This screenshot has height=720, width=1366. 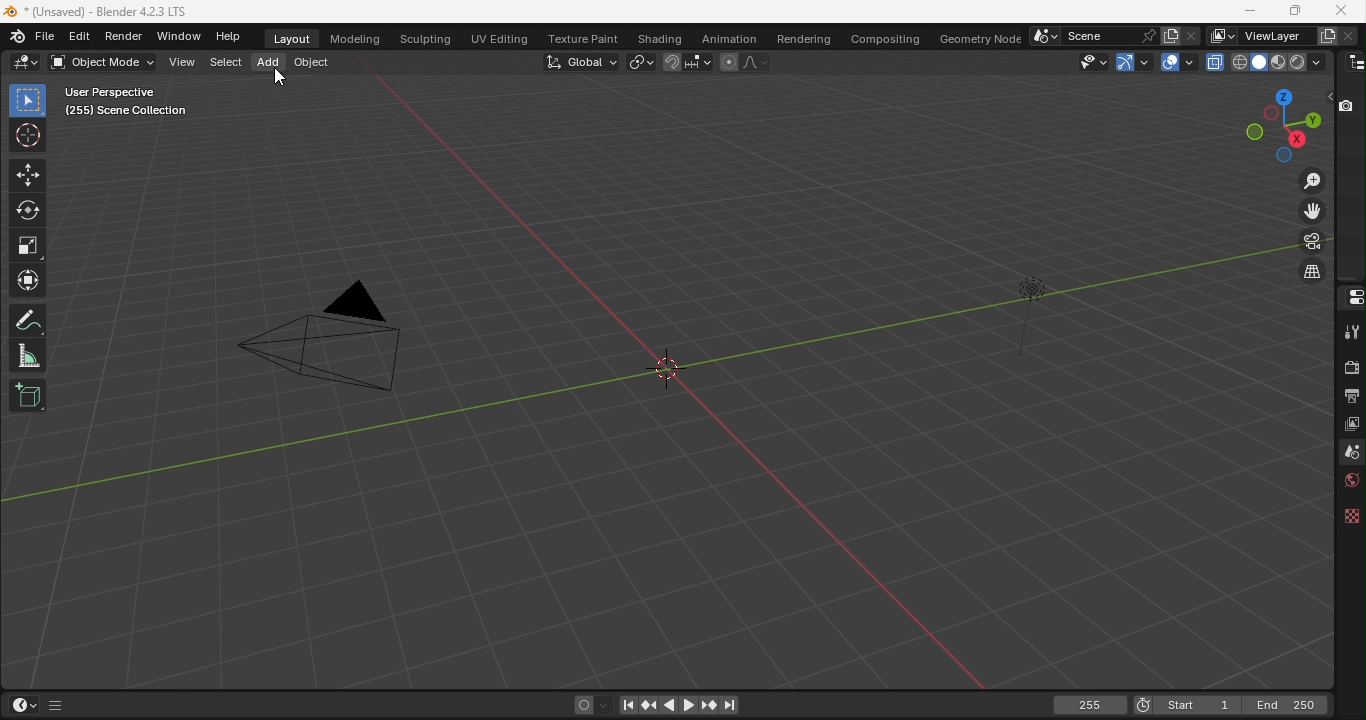 I want to click on Texture paint, so click(x=580, y=37).